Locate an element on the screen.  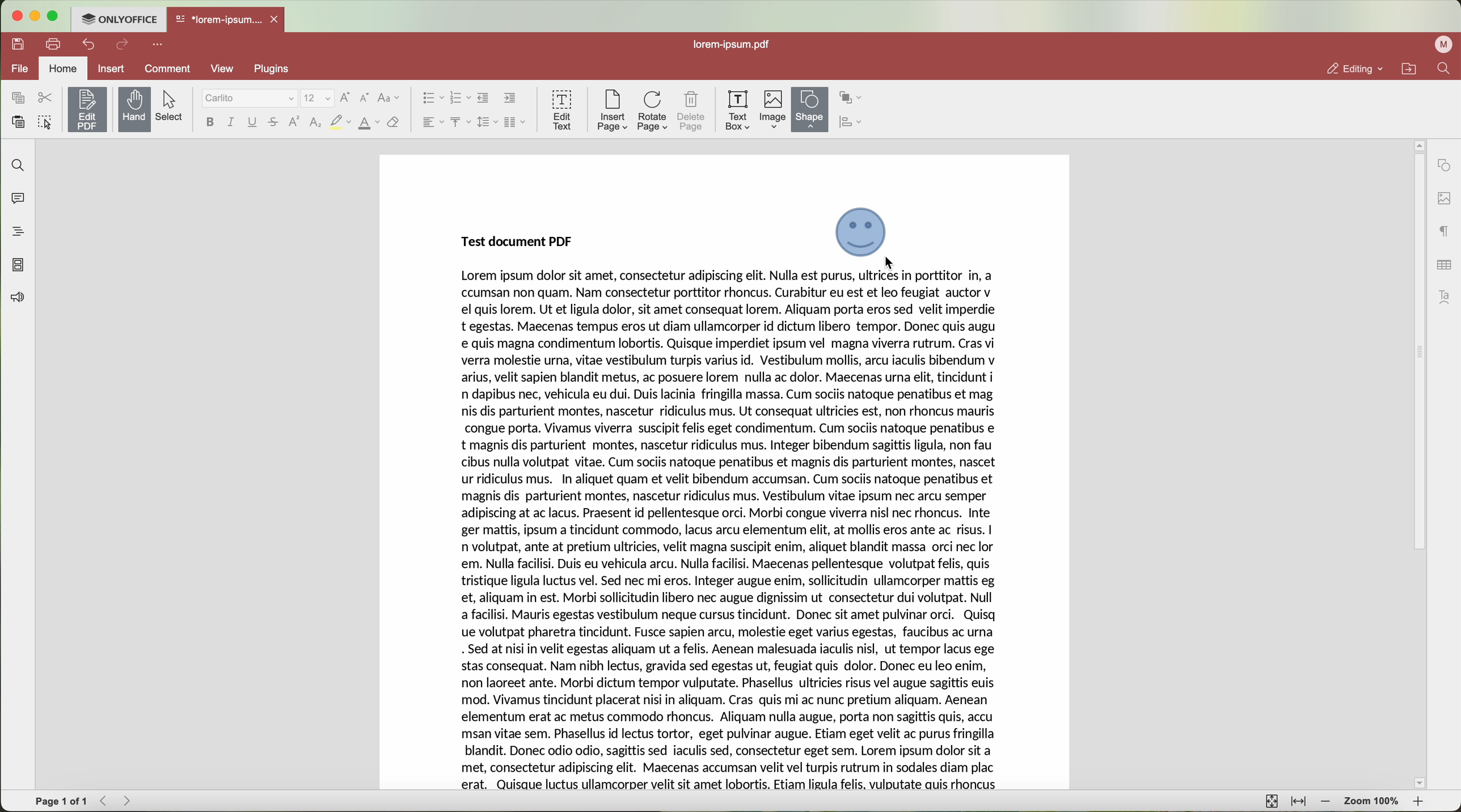
shape settings is located at coordinates (1444, 165).